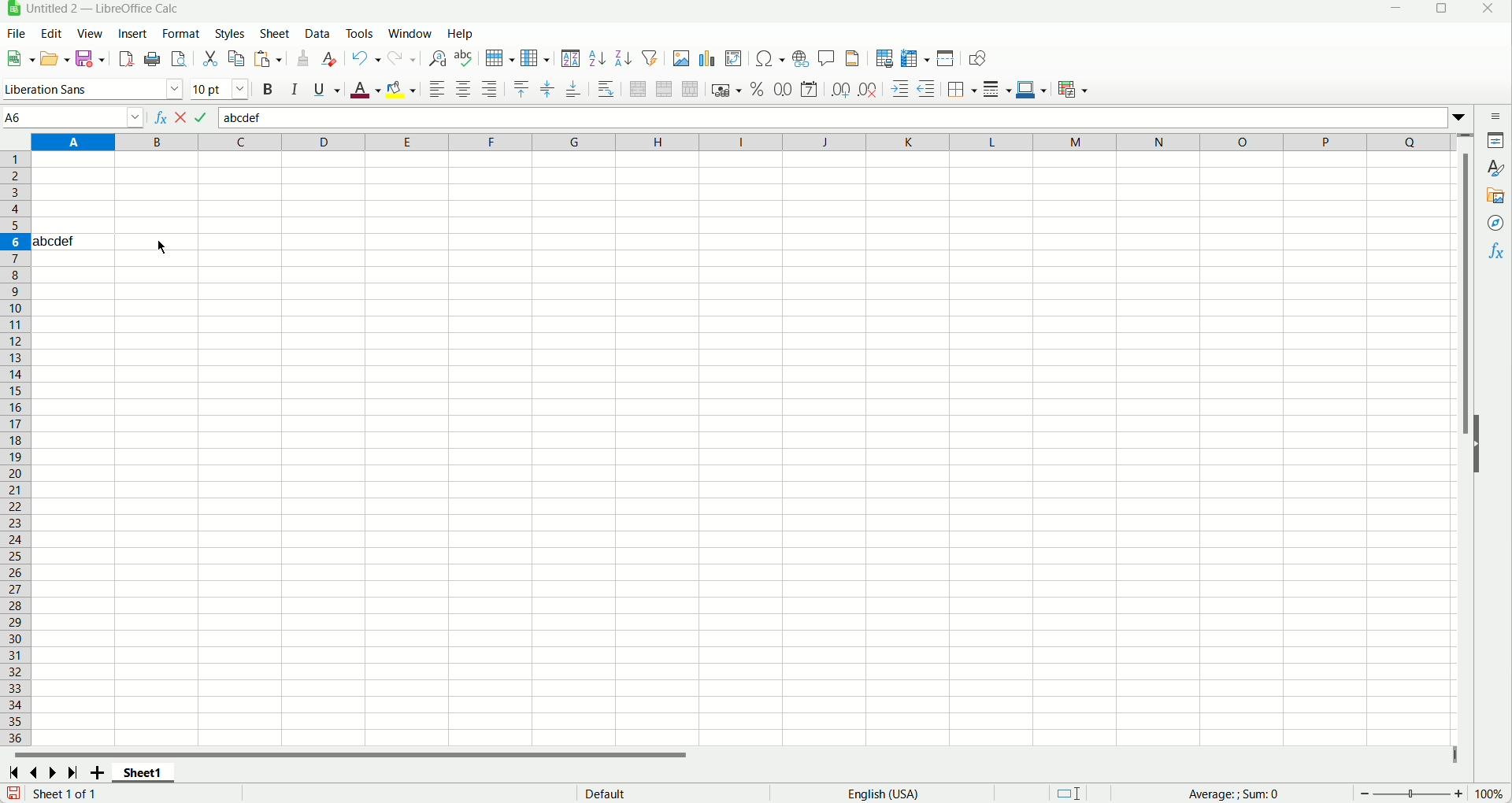 The width and height of the screenshot is (1512, 803). Describe the element at coordinates (104, 8) in the screenshot. I see `UNTITLED2-LIBREOFFICE CALC` at that location.